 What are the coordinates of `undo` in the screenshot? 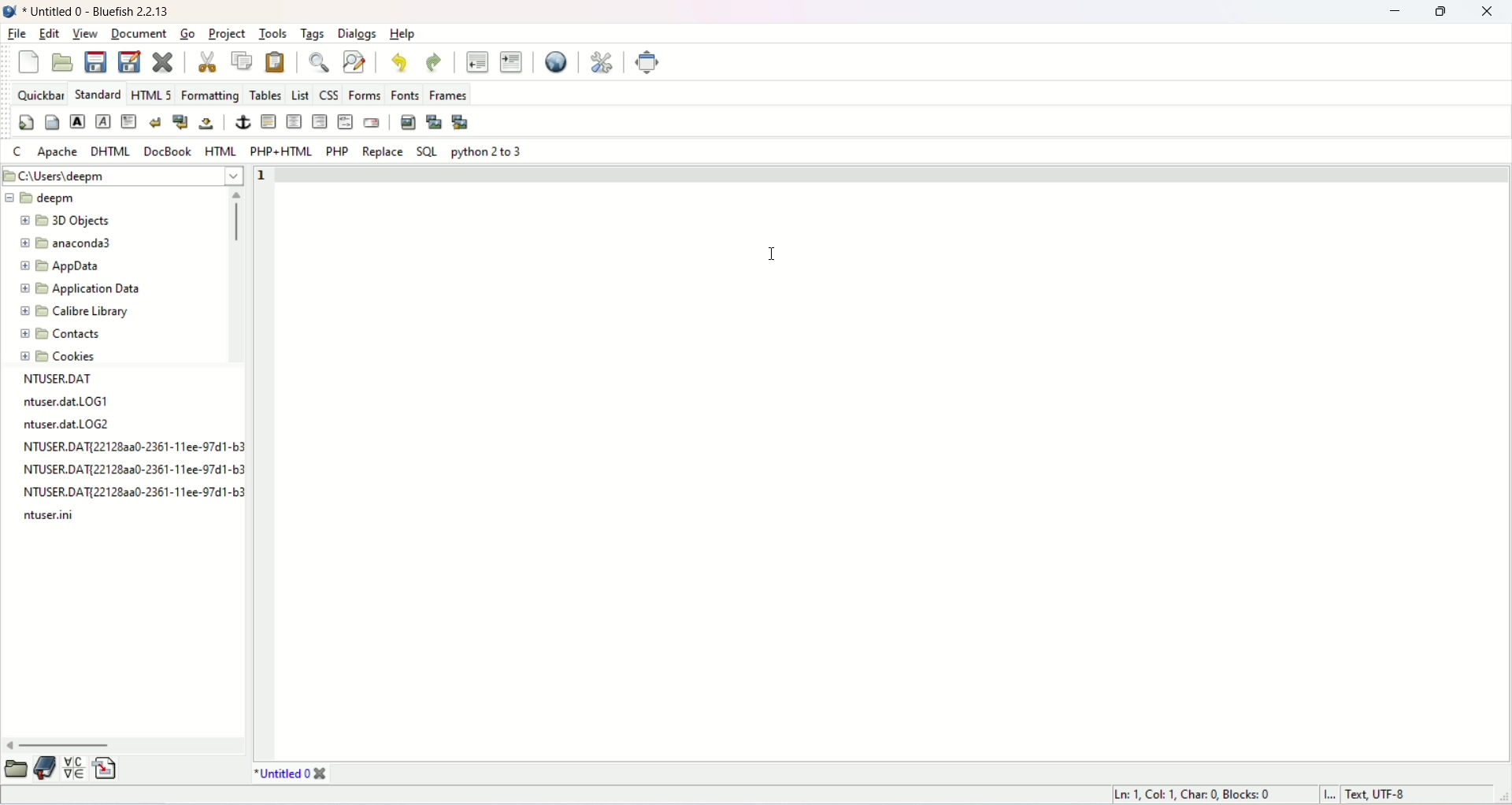 It's located at (399, 64).